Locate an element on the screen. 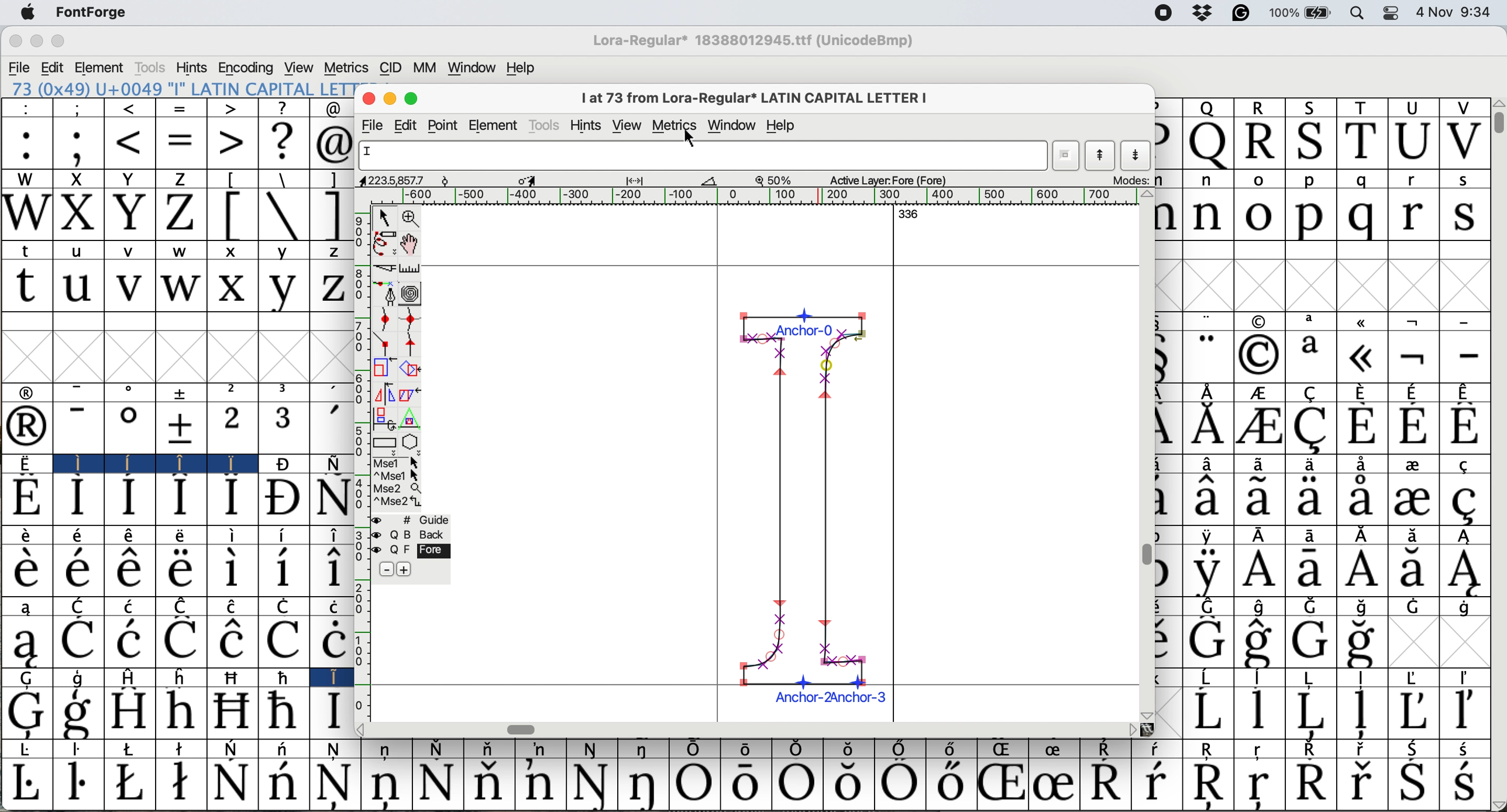  2 is located at coordinates (234, 391).